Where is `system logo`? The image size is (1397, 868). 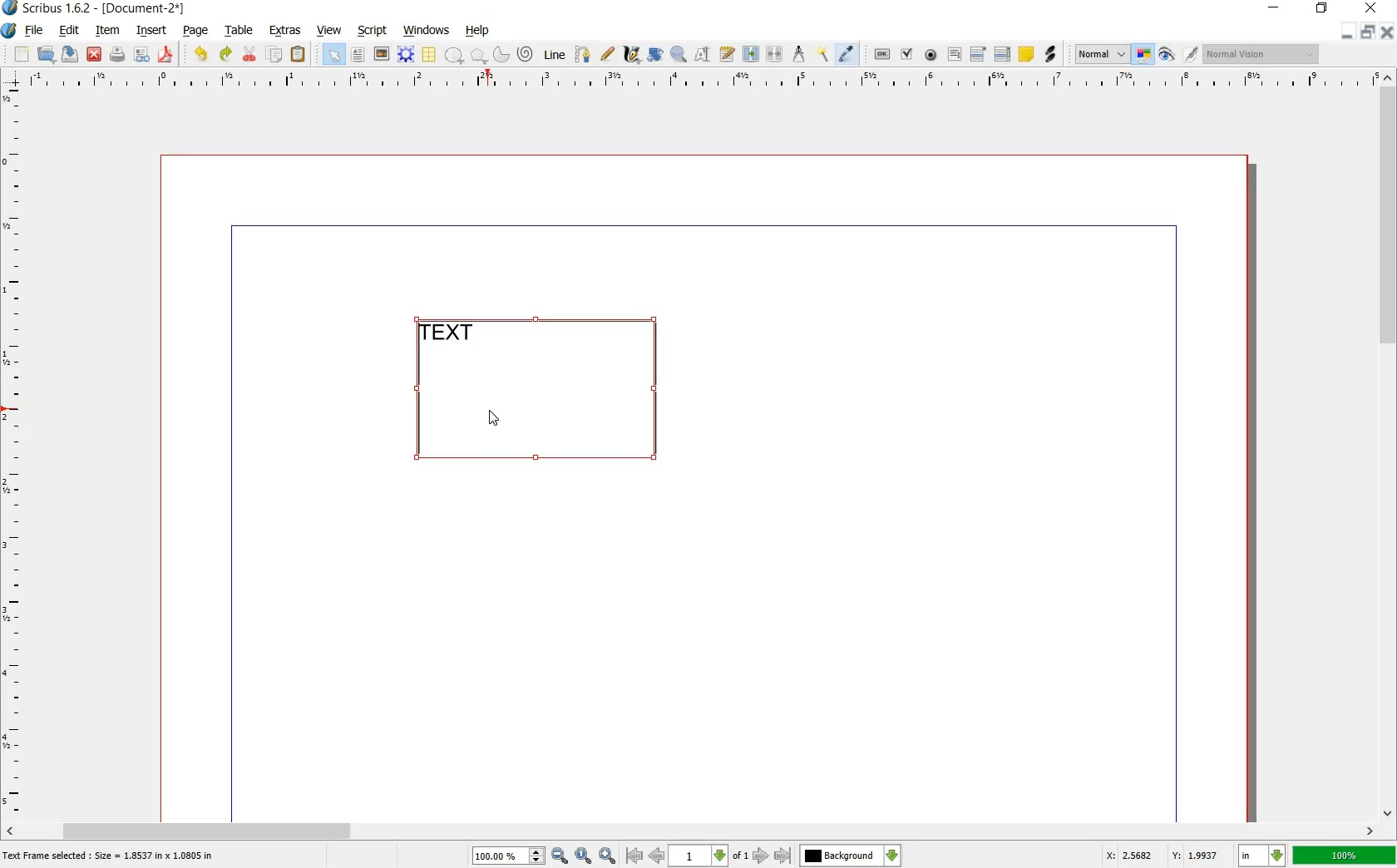
system logo is located at coordinates (8, 31).